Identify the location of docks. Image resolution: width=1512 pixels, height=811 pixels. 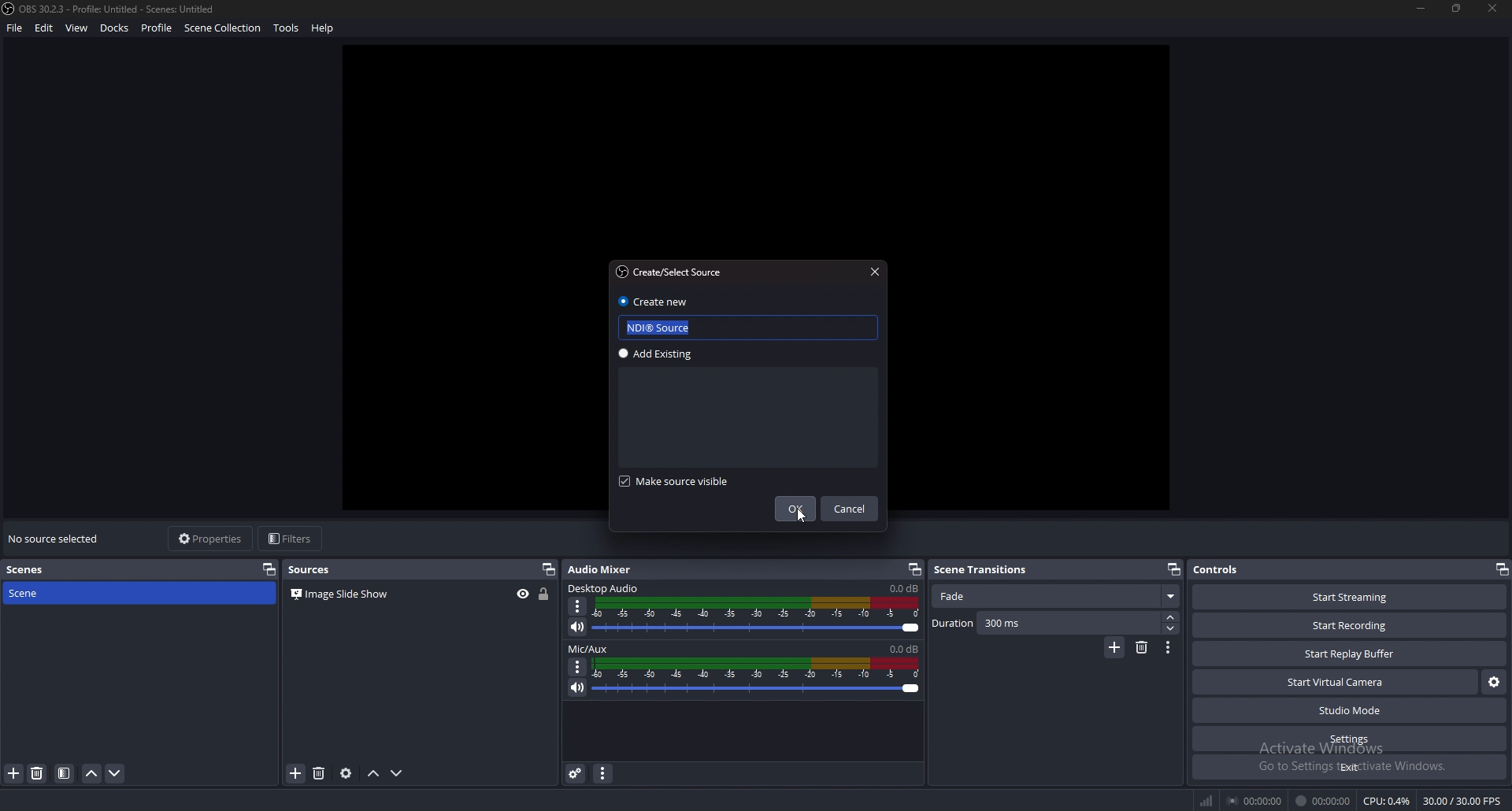
(117, 28).